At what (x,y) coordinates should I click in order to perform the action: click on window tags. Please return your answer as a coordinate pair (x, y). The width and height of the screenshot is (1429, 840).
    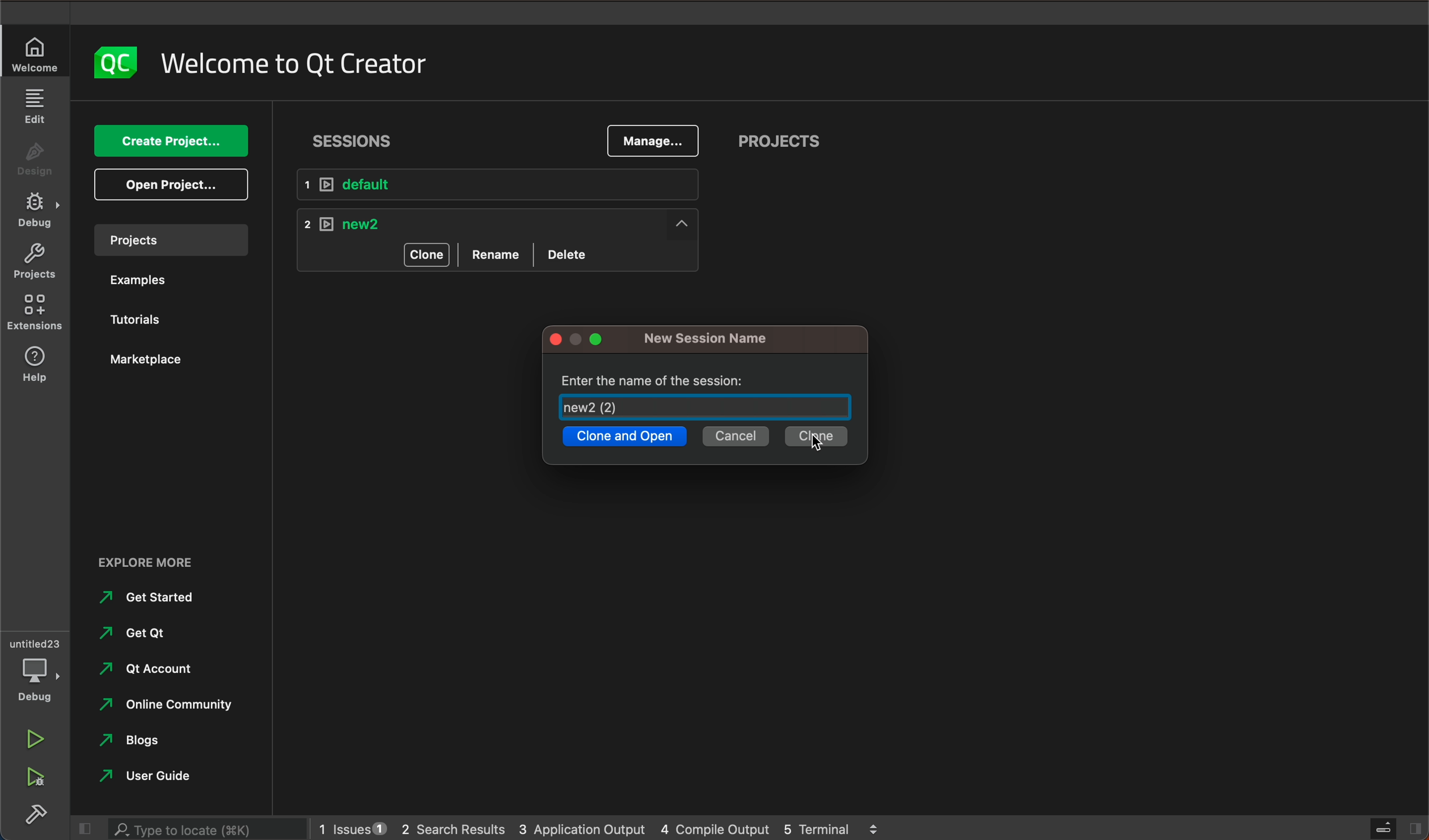
    Looking at the image, I should click on (582, 340).